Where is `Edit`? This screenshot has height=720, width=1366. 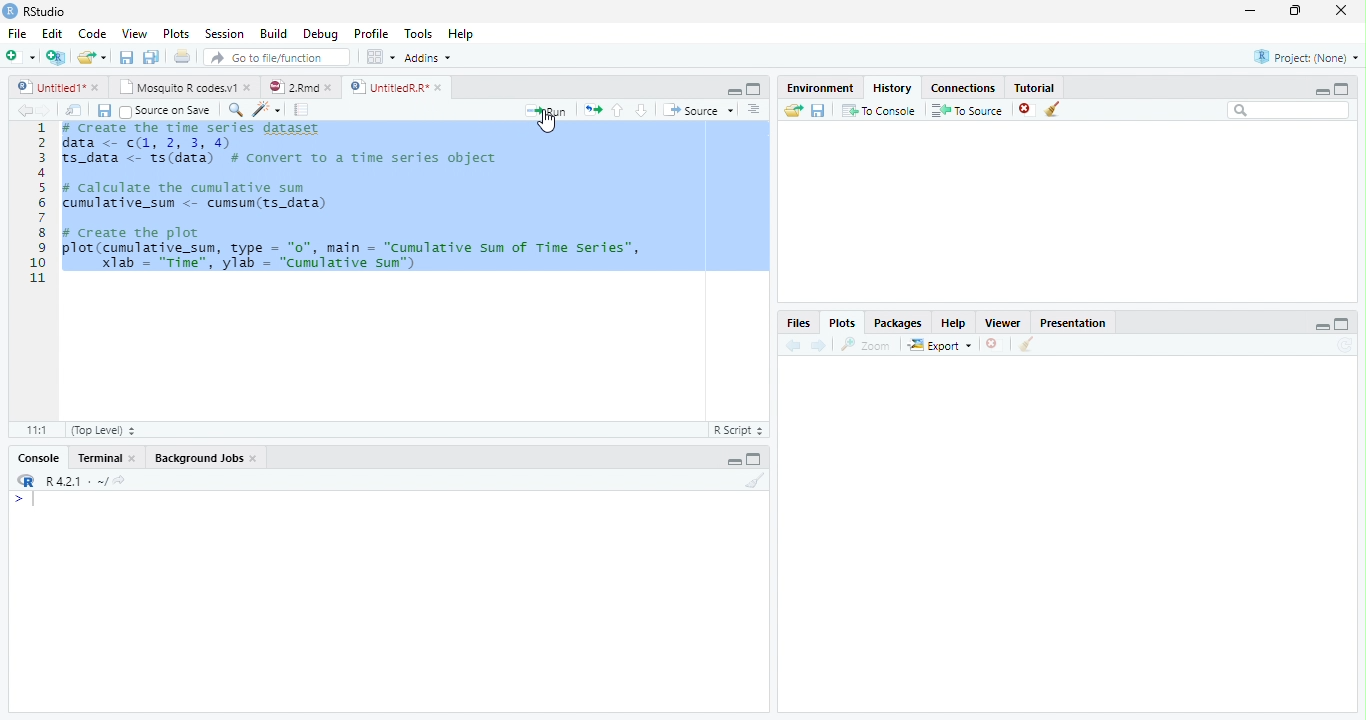
Edit is located at coordinates (55, 36).